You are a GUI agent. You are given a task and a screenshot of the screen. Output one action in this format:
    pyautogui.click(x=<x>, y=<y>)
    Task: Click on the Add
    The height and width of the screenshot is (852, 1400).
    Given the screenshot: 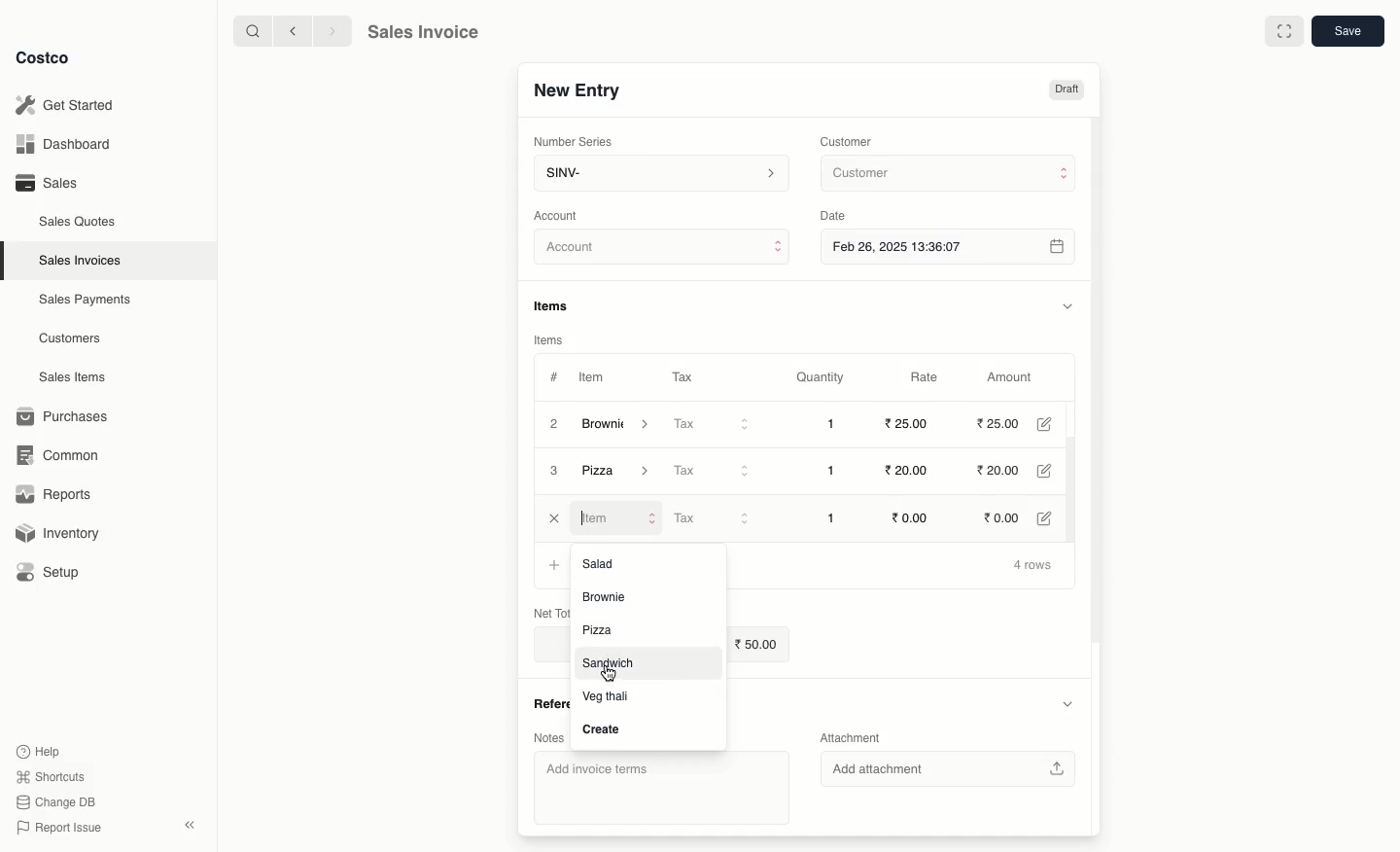 What is the action you would take?
    pyautogui.click(x=554, y=563)
    